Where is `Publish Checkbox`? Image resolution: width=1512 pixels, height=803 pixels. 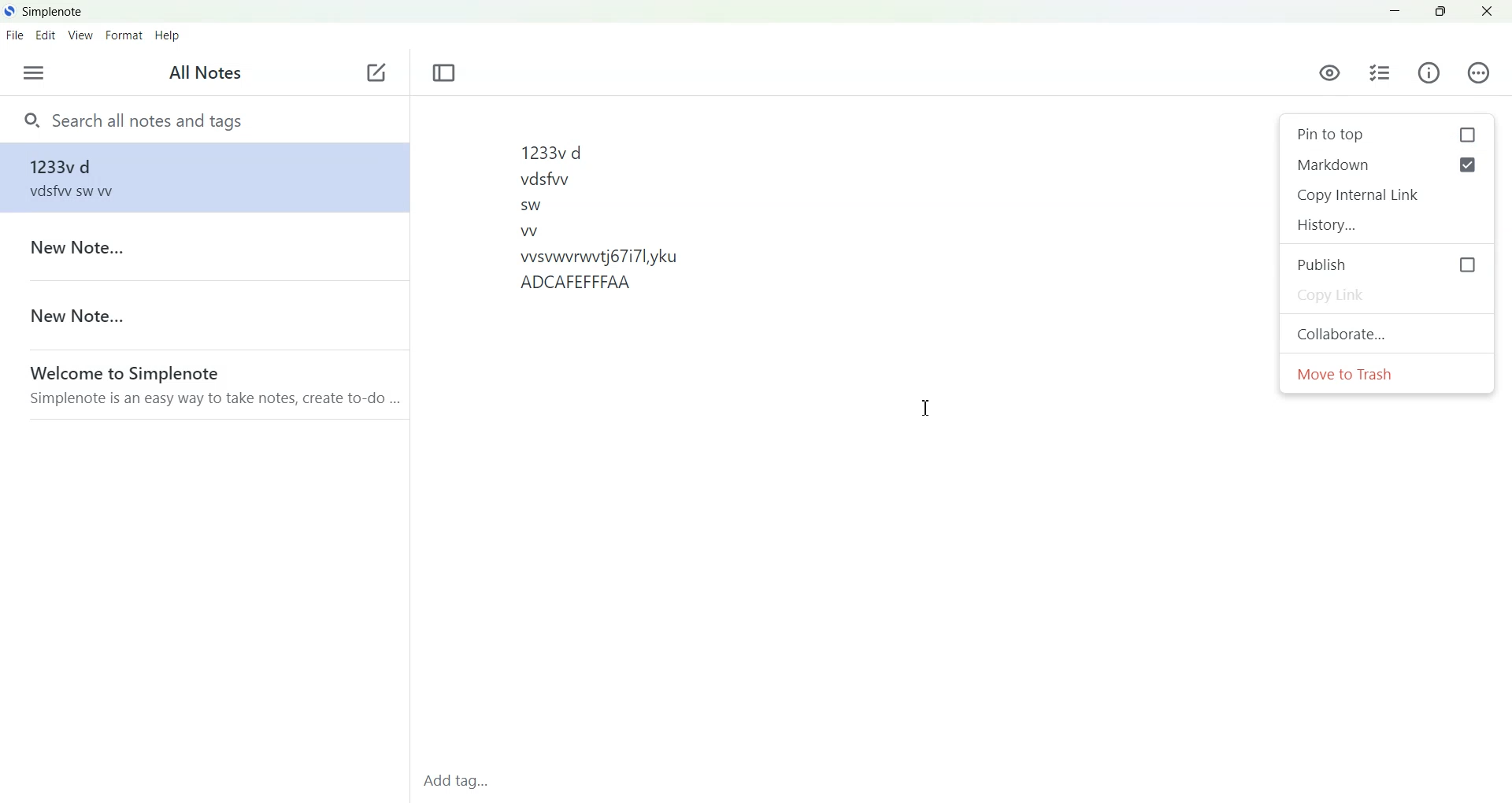
Publish Checkbox is located at coordinates (1388, 264).